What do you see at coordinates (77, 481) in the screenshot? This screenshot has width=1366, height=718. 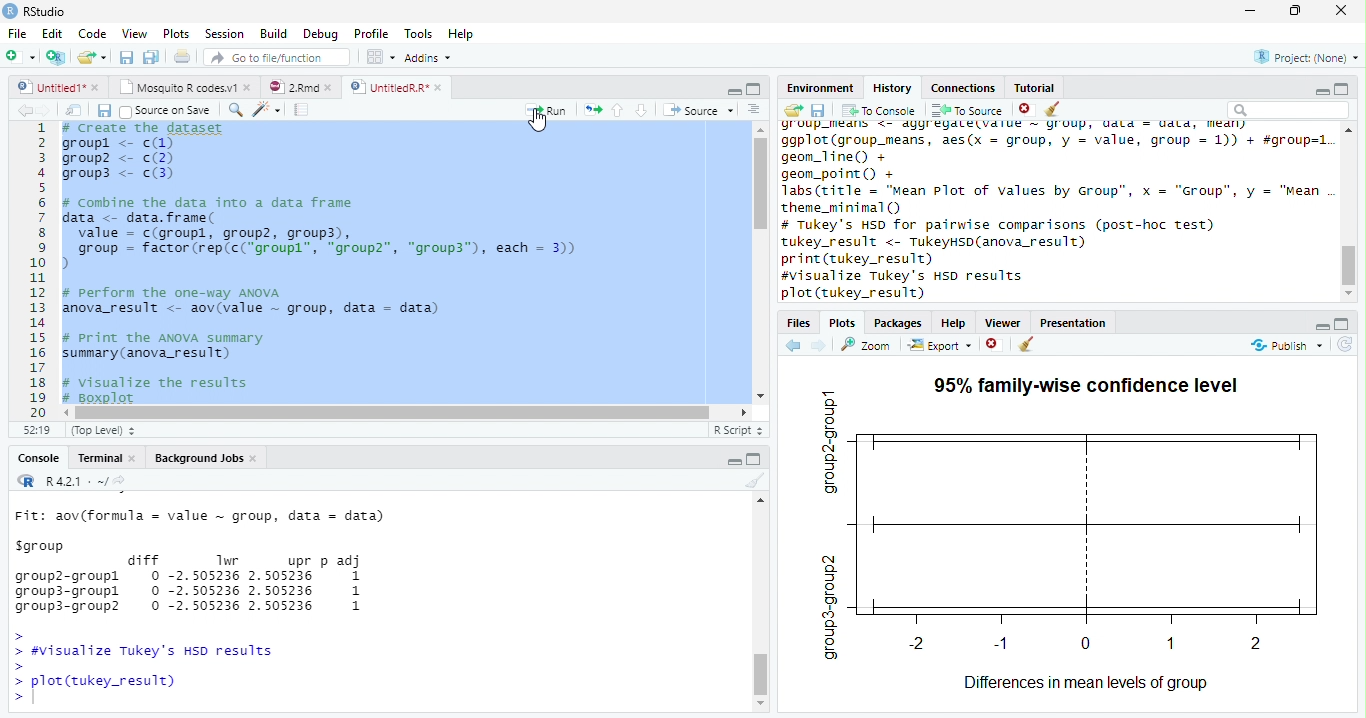 I see `R 4.2.1 ~/` at bounding box center [77, 481].